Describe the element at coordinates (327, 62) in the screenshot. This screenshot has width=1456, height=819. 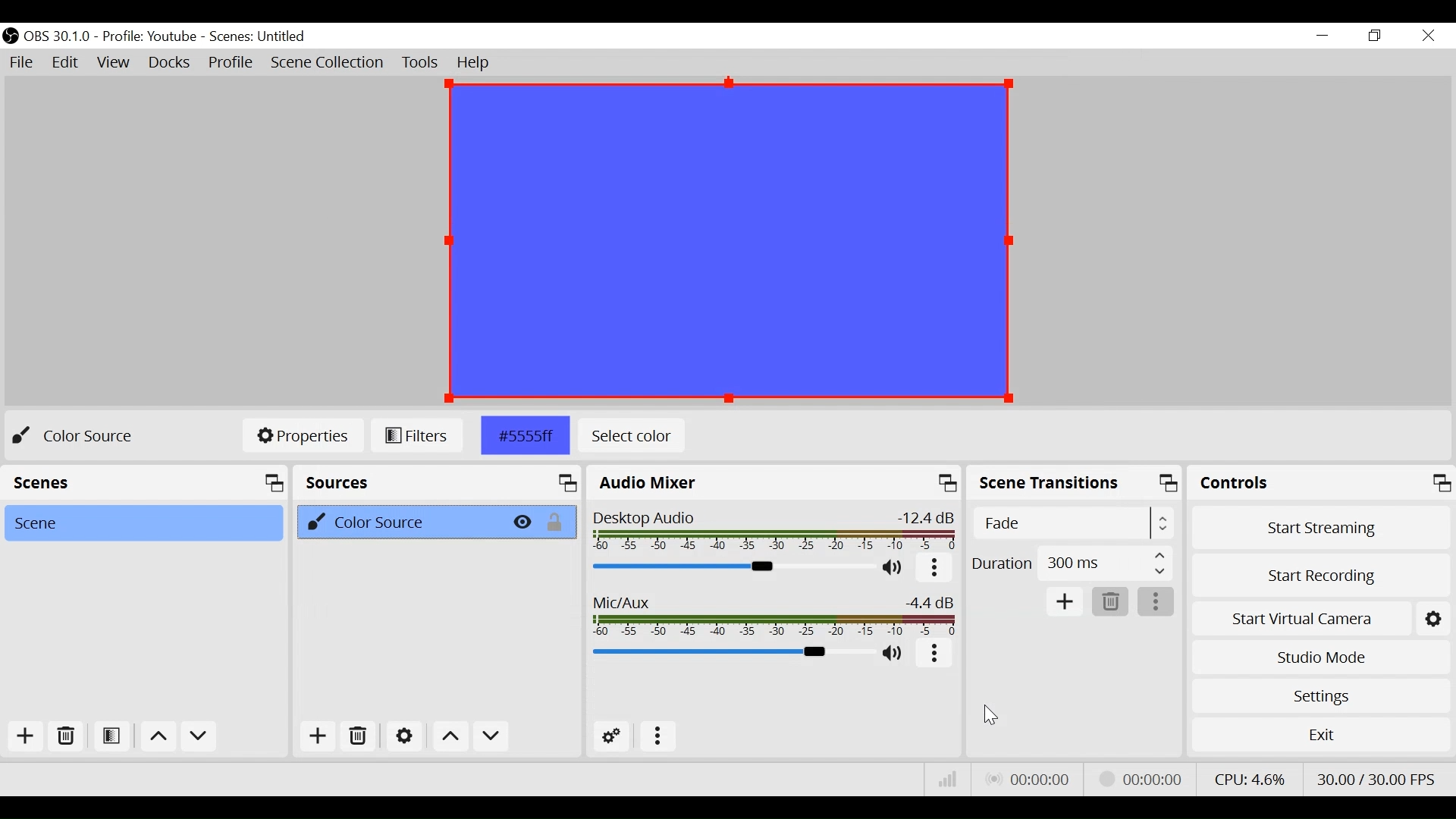
I see `Scene Collection` at that location.